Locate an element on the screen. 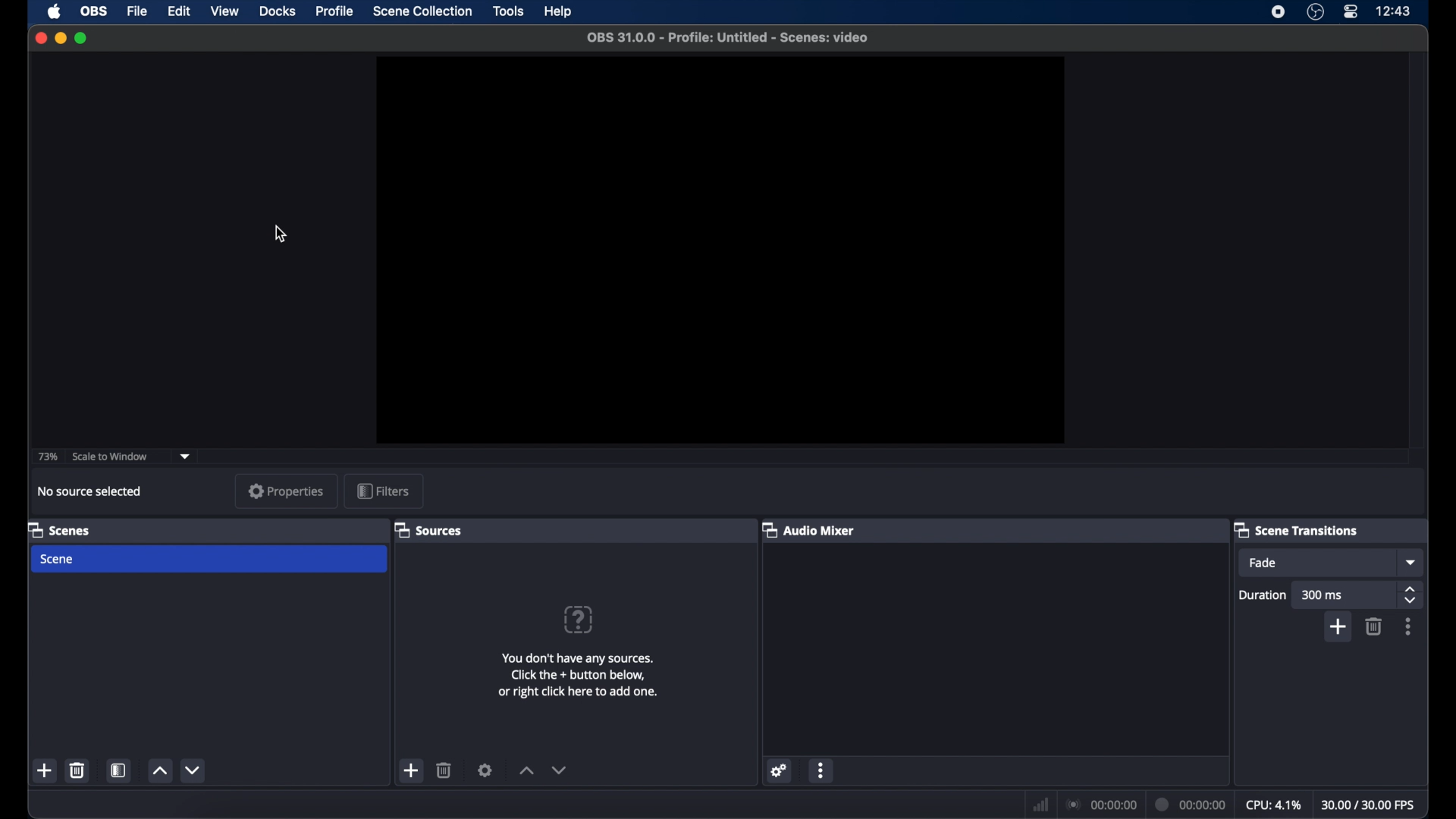 The image size is (1456, 819). duration 300ms is located at coordinates (1307, 595).